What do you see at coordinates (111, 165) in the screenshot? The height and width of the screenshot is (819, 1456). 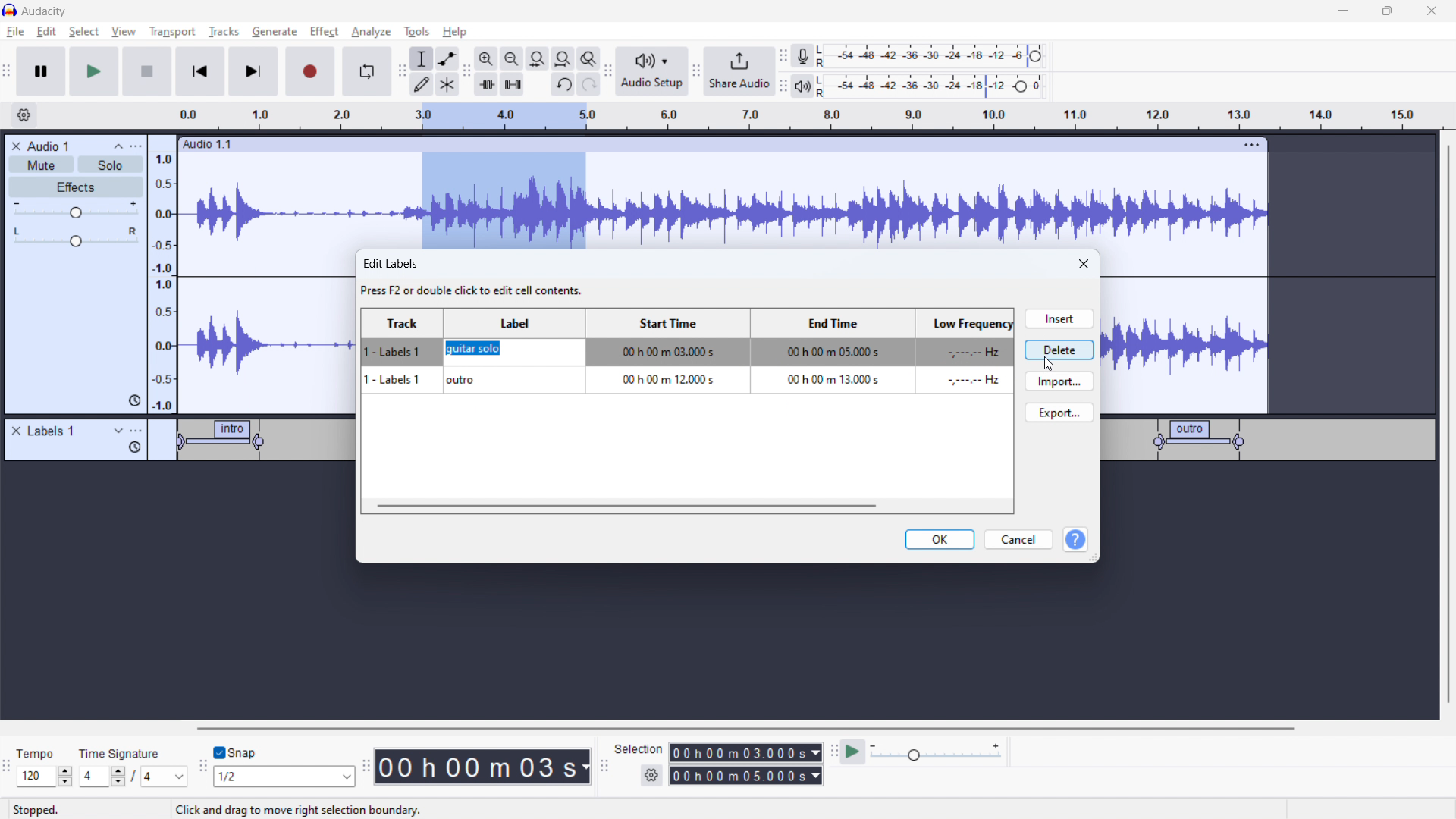 I see `solo` at bounding box center [111, 165].